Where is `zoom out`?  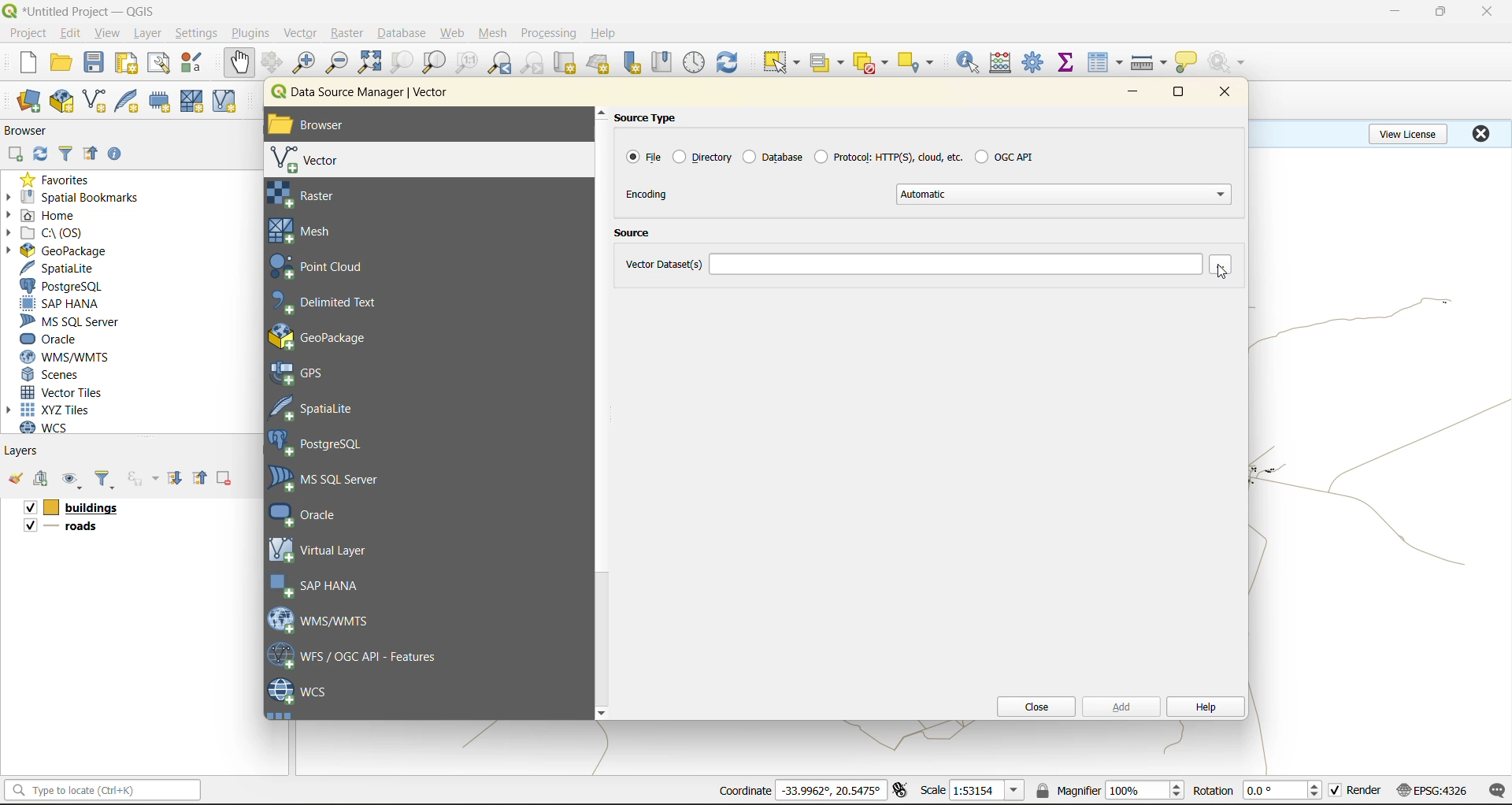
zoom out is located at coordinates (338, 61).